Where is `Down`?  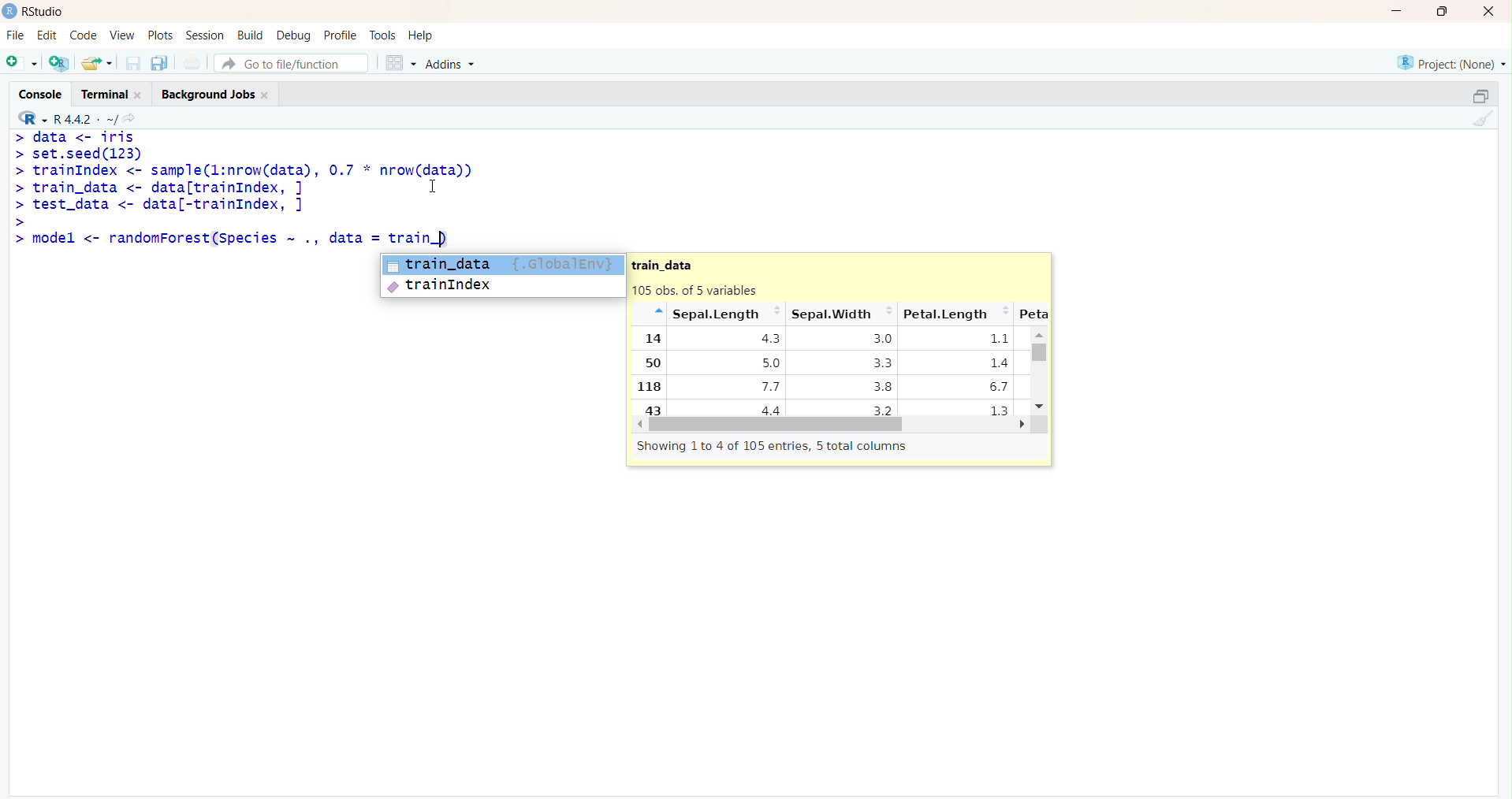 Down is located at coordinates (1044, 403).